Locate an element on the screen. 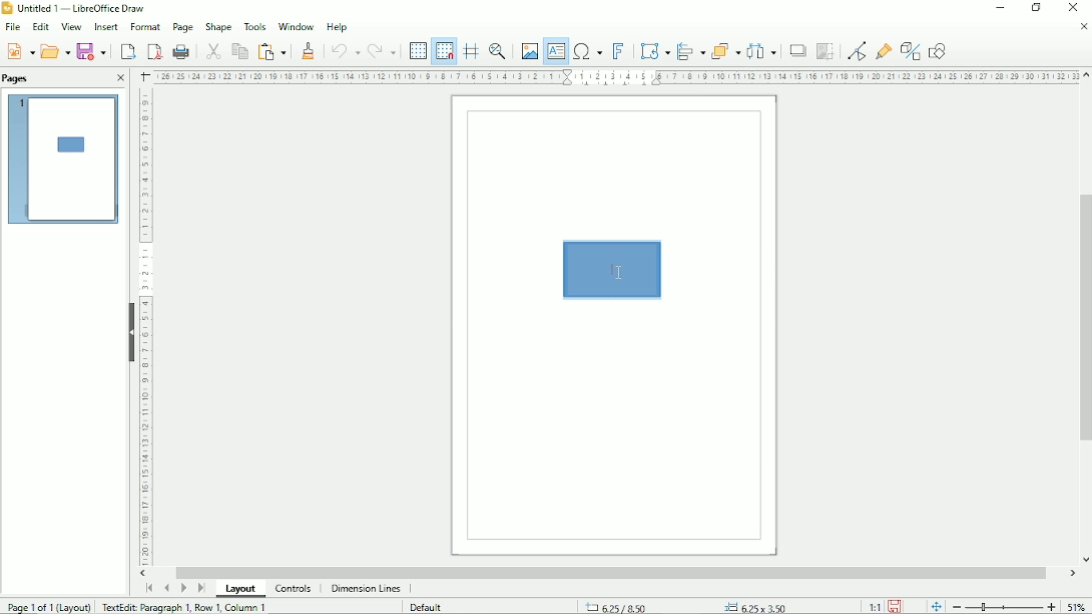 This screenshot has width=1092, height=614. Close is located at coordinates (1071, 8).